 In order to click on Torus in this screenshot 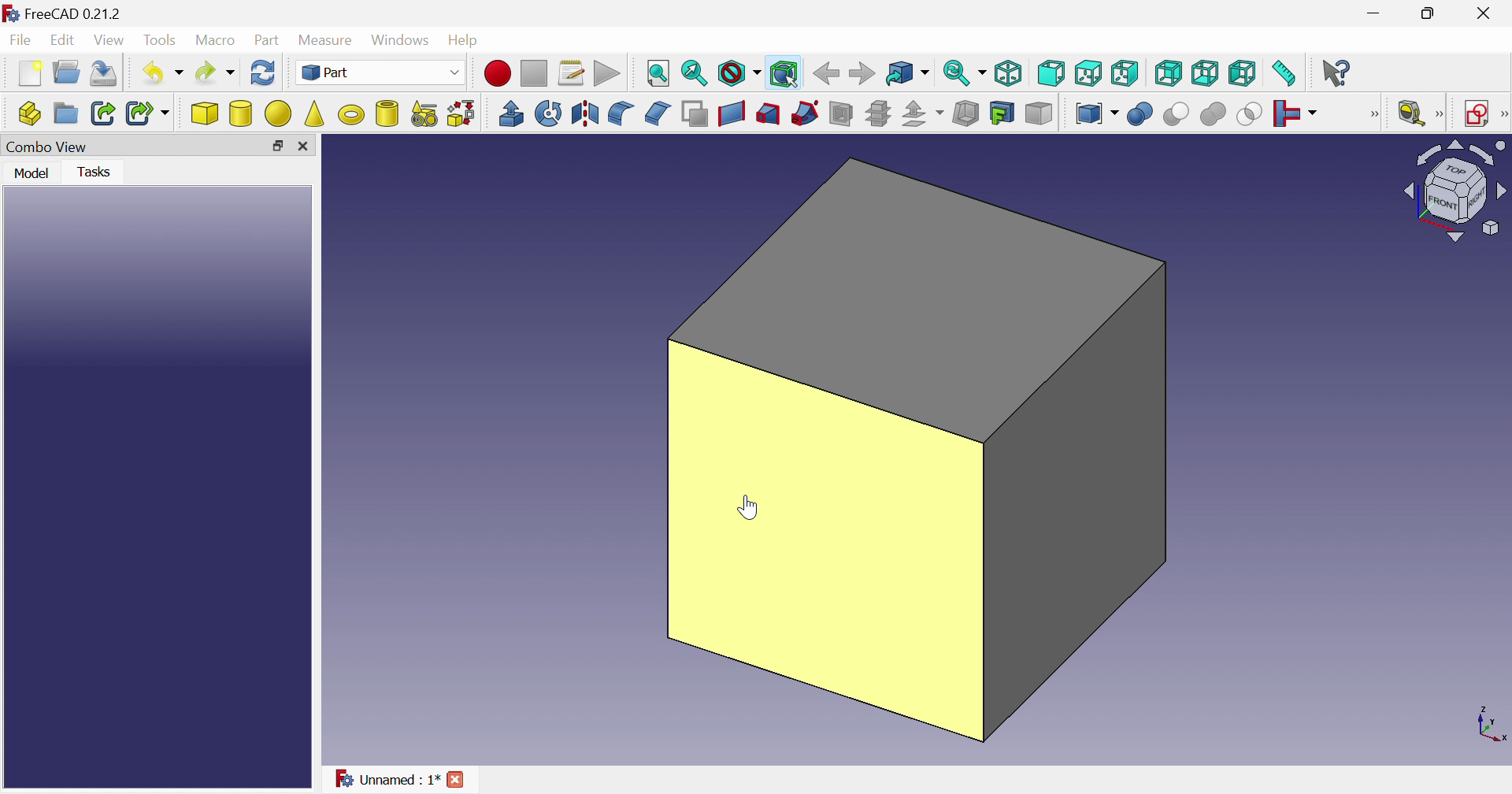, I will do `click(350, 114)`.